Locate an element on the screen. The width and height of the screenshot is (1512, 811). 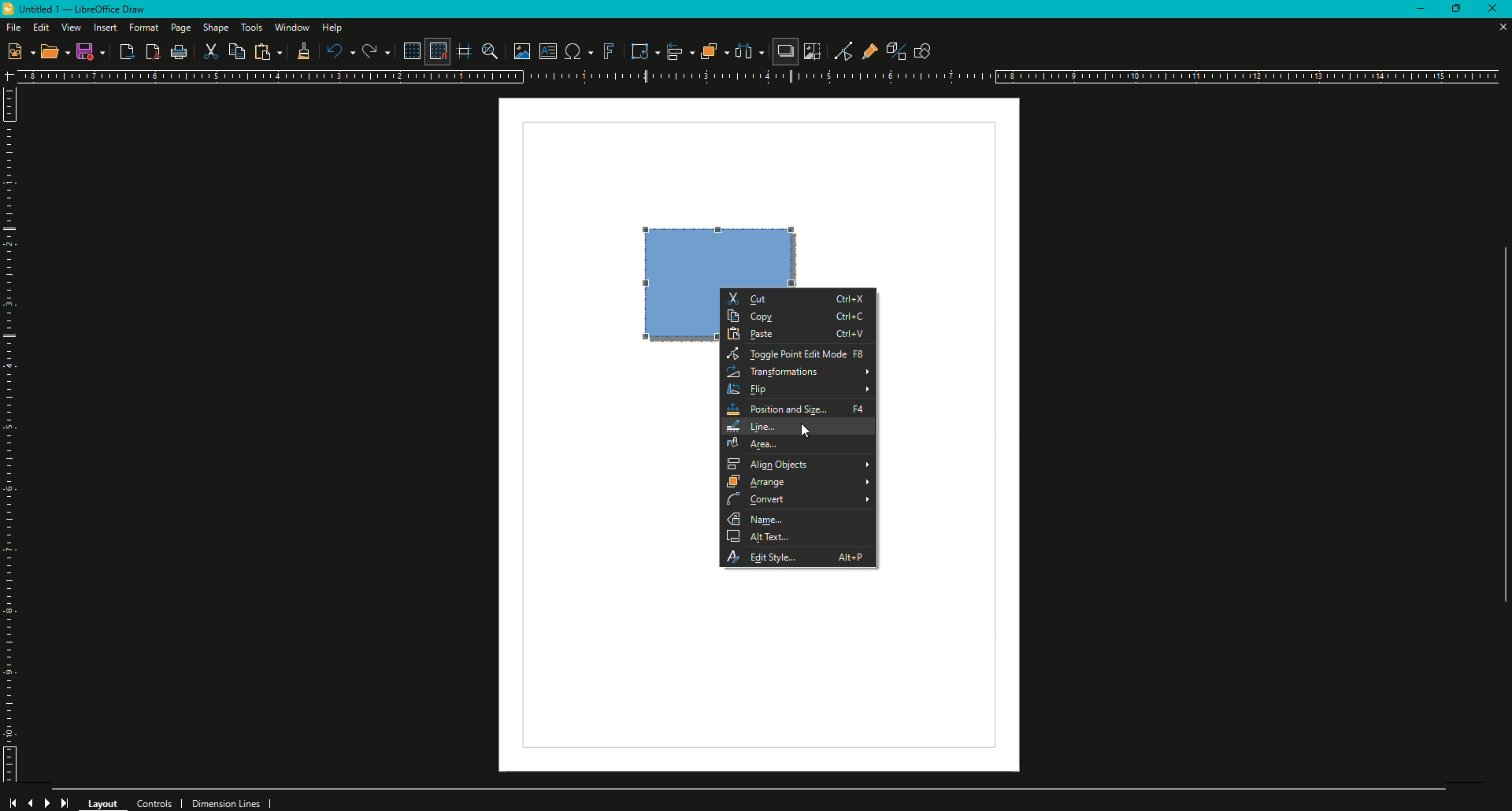
Close Sheet is located at coordinates (1500, 28).